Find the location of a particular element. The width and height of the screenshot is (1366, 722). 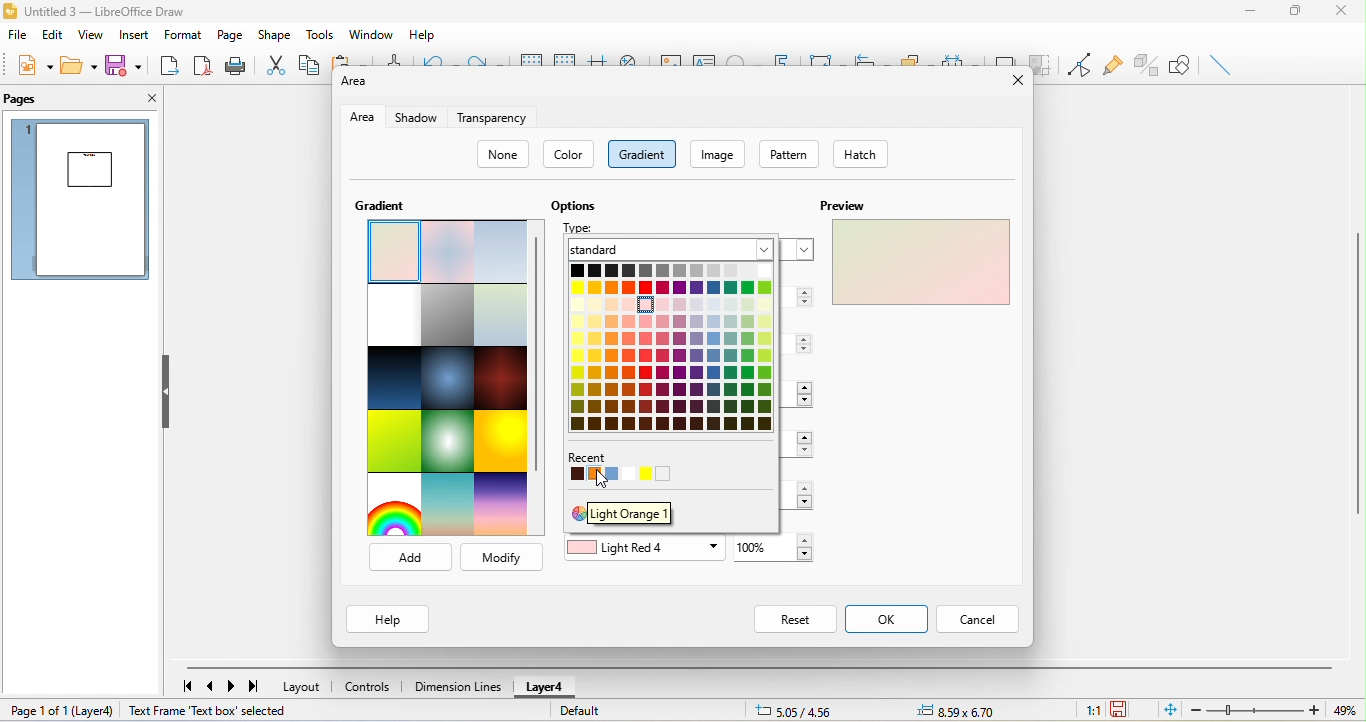

view is located at coordinates (92, 35).